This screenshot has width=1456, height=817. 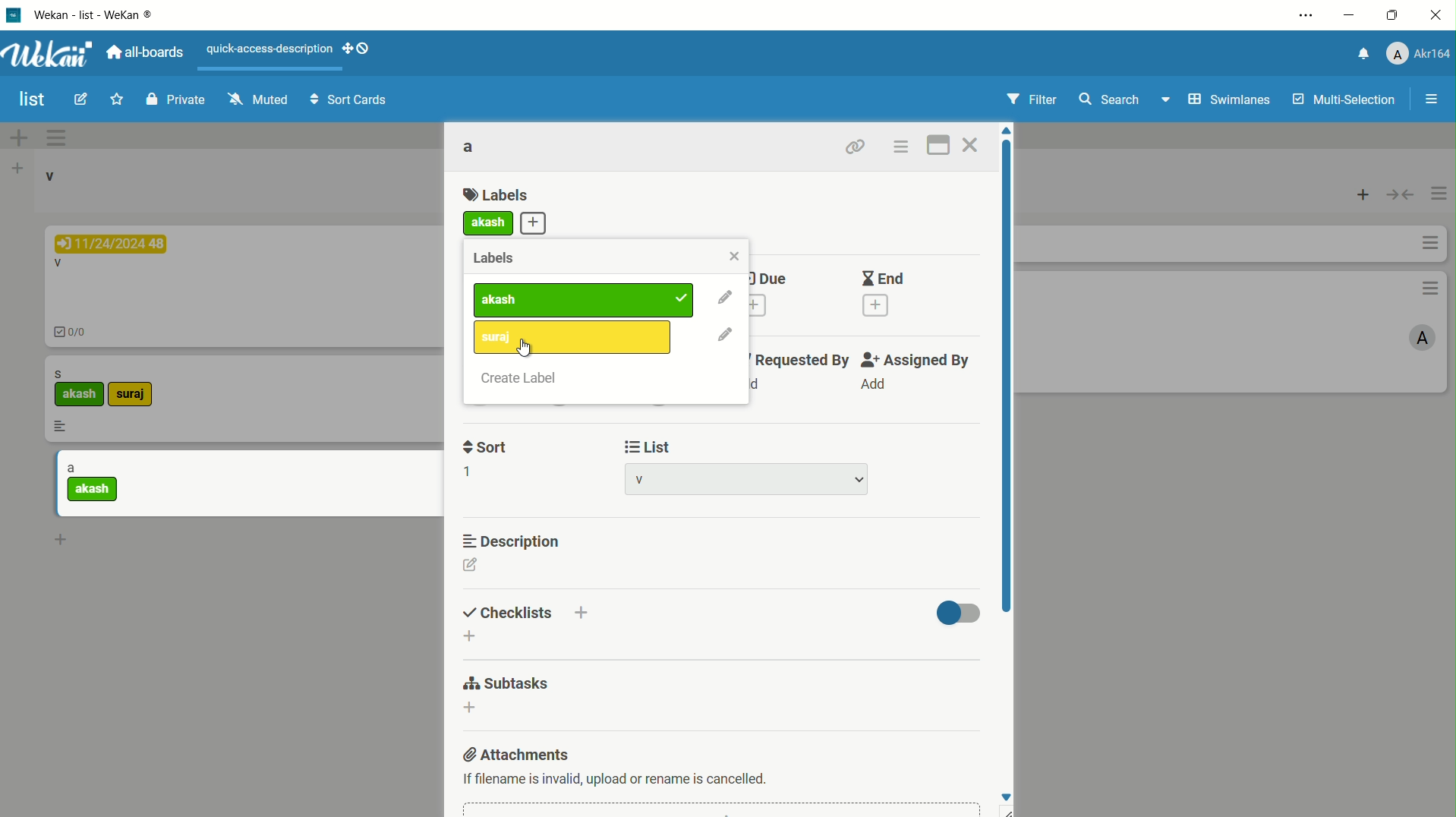 What do you see at coordinates (1412, 339) in the screenshot?
I see `A` at bounding box center [1412, 339].